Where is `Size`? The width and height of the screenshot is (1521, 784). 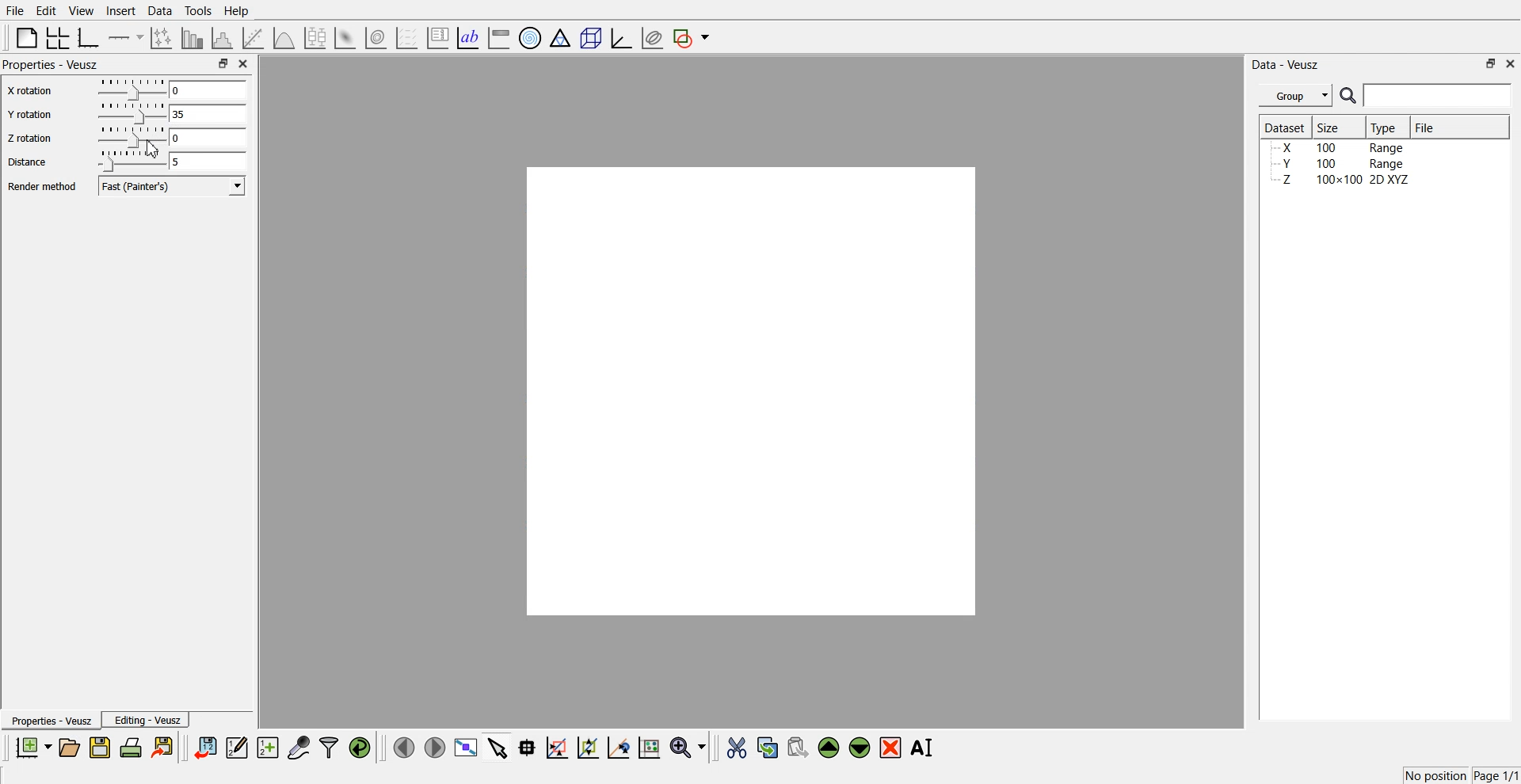 Size is located at coordinates (1331, 127).